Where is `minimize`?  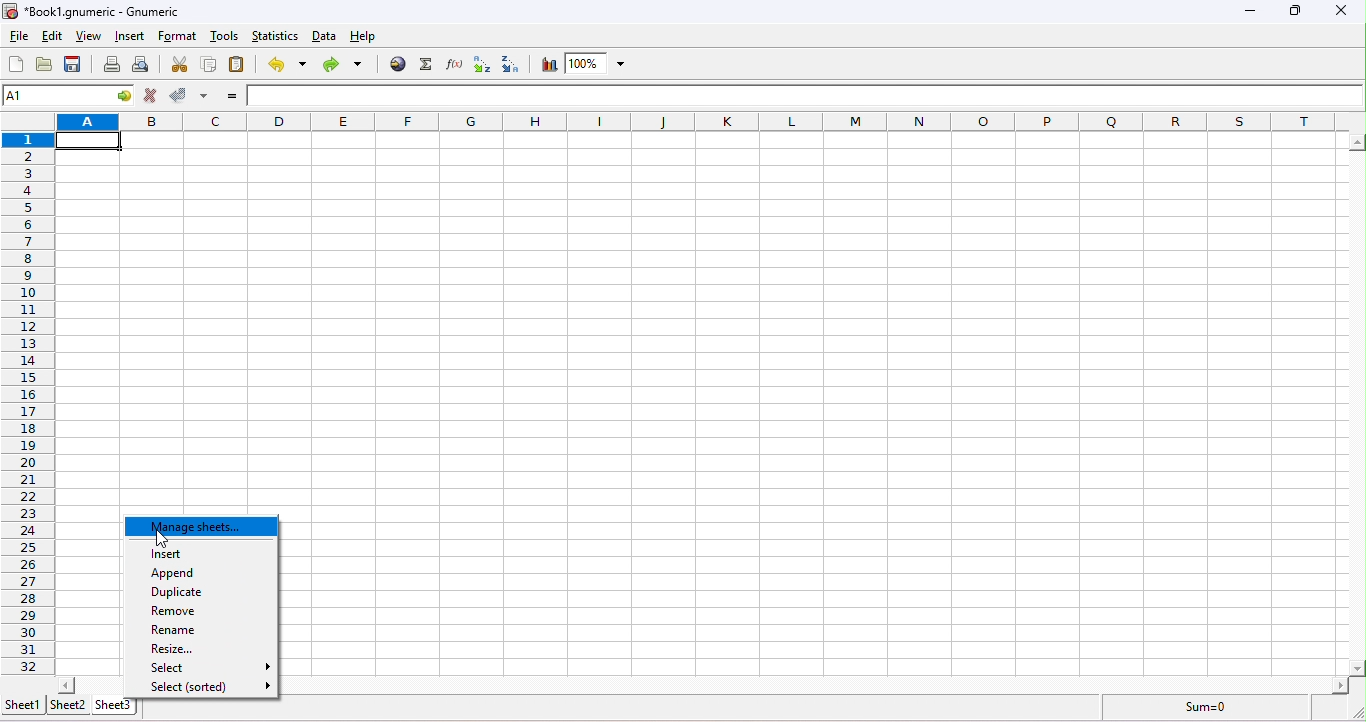
minimize is located at coordinates (1251, 11).